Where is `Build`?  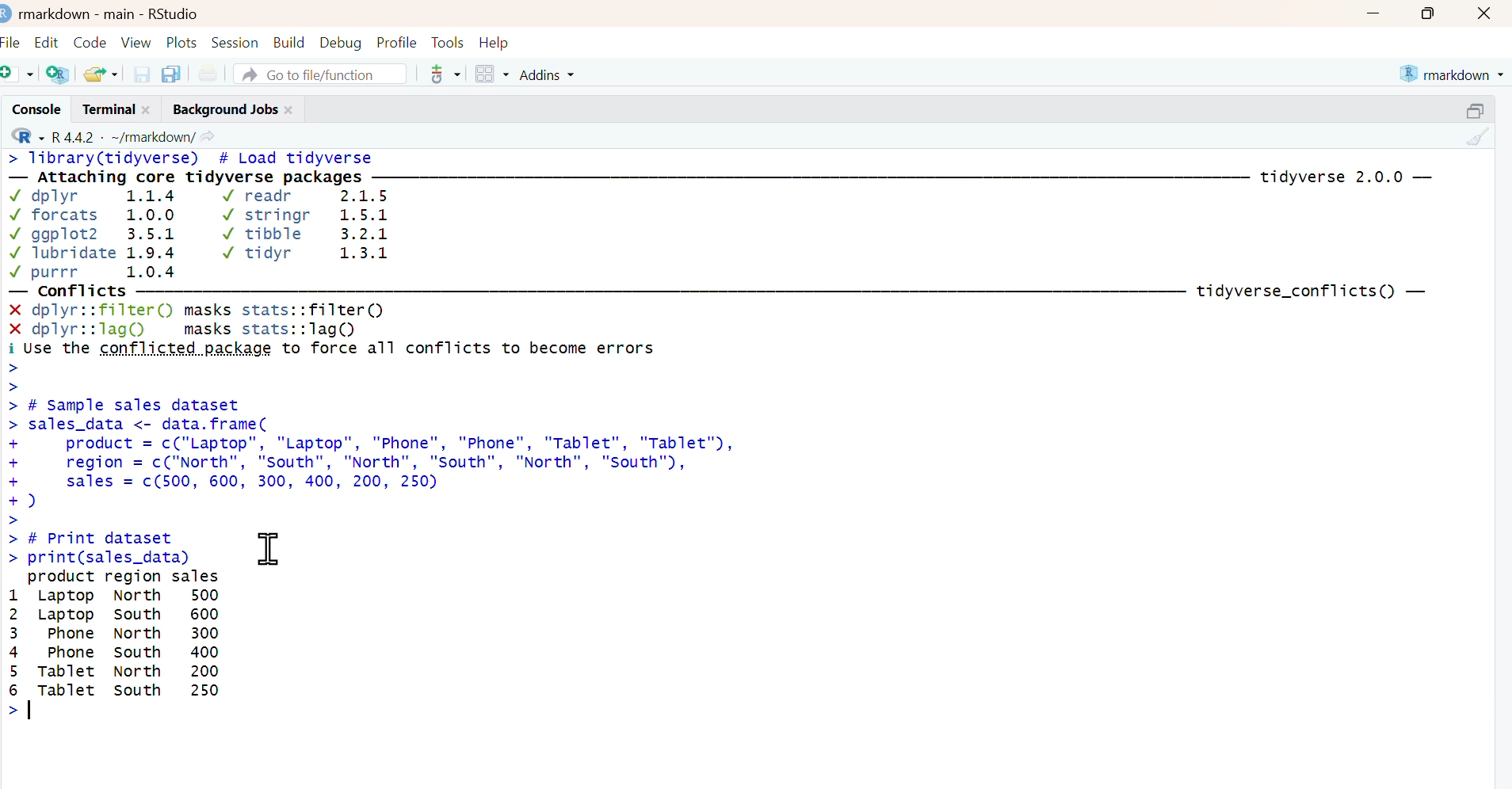
Build is located at coordinates (290, 39).